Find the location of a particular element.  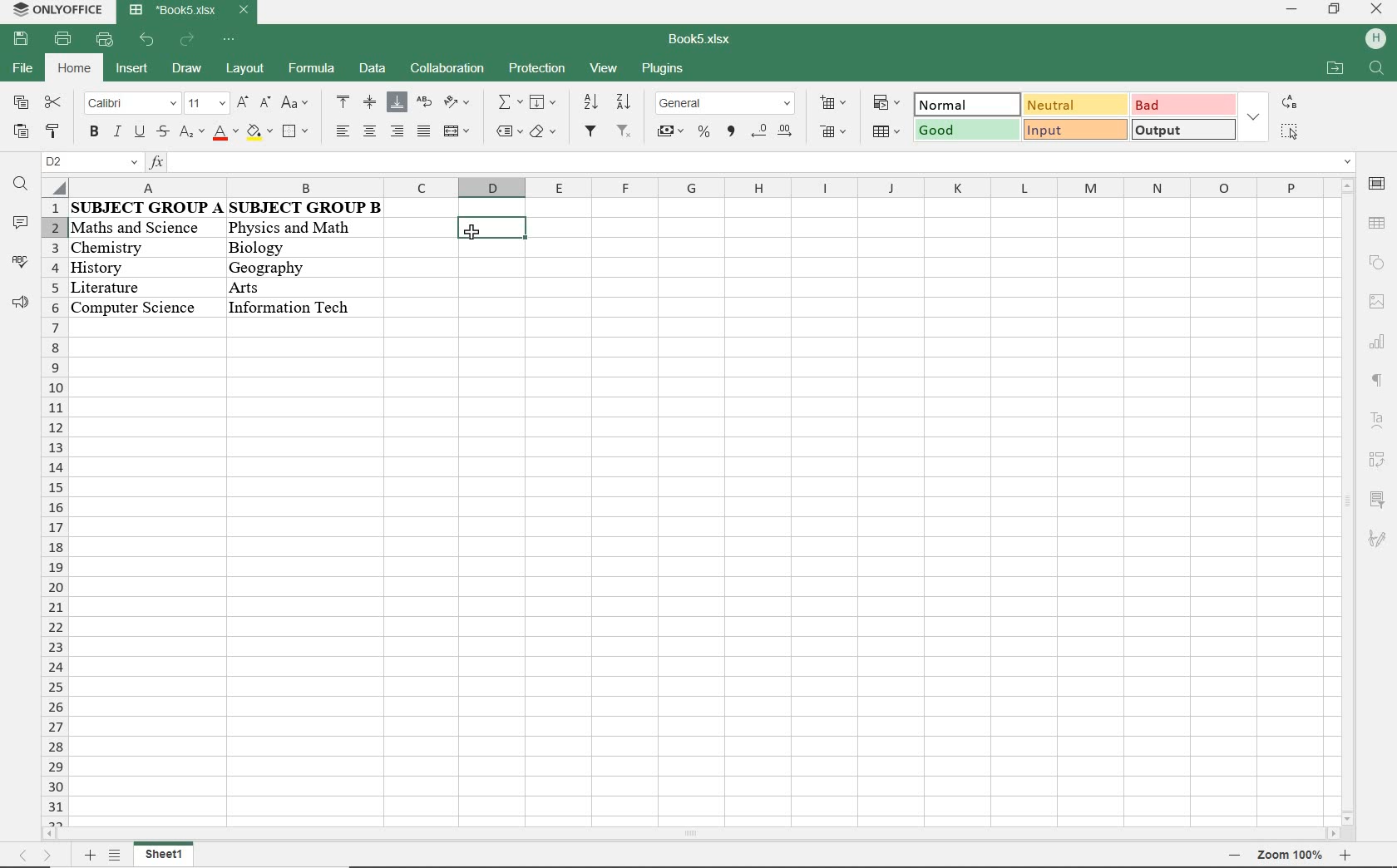

spell checking is located at coordinates (19, 262).